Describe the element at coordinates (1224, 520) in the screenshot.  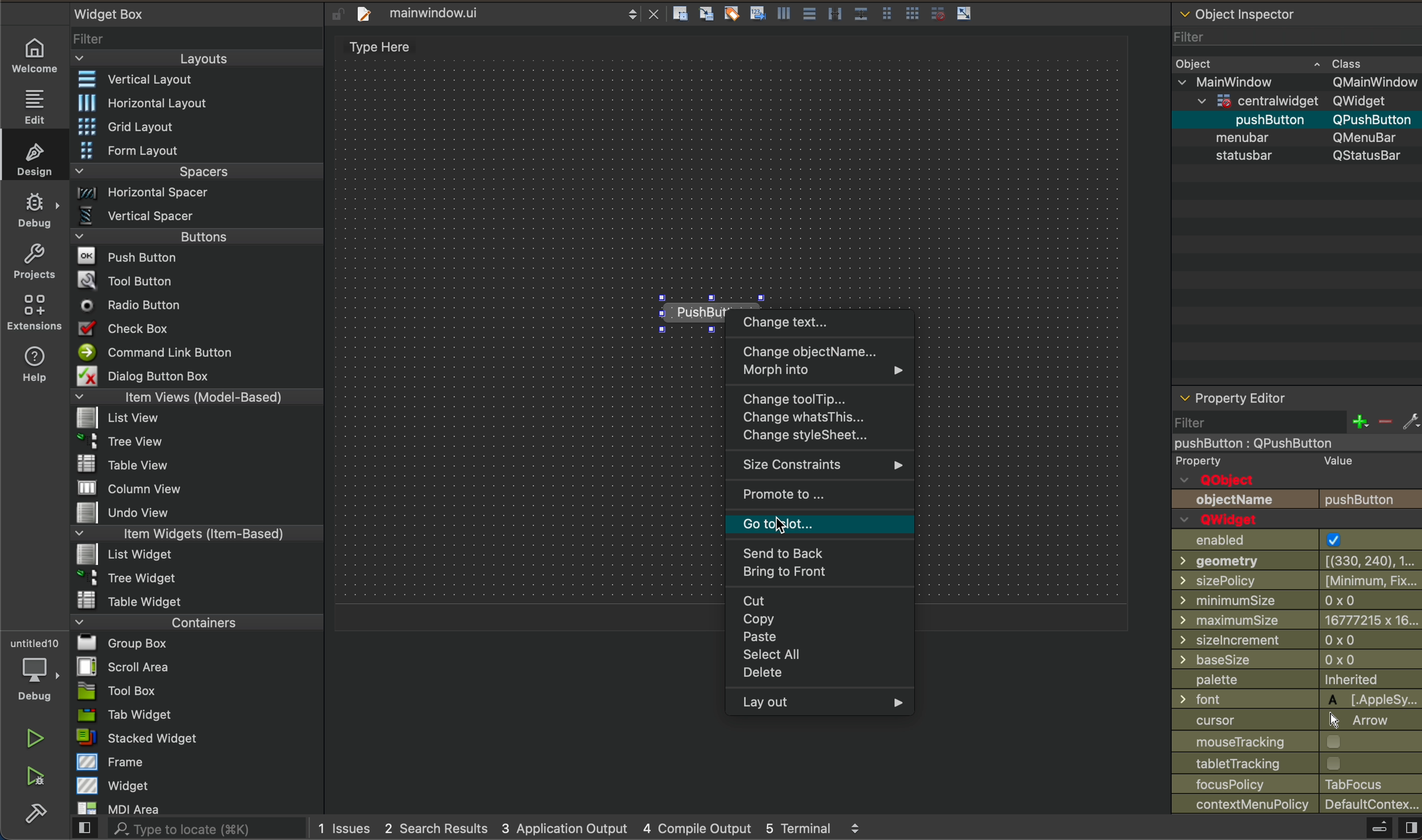
I see `Qwidget` at that location.